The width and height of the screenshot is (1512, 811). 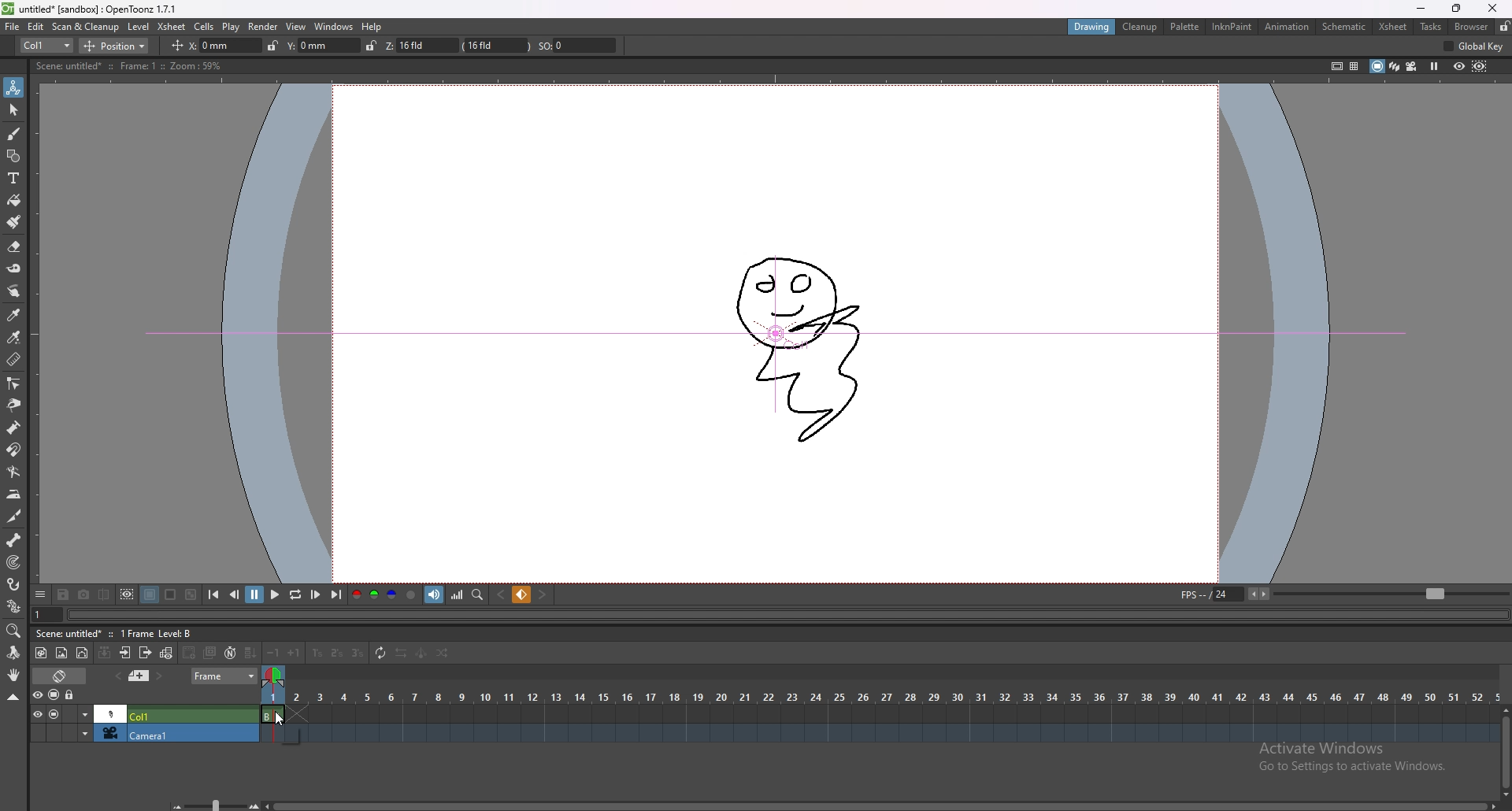 What do you see at coordinates (150, 594) in the screenshot?
I see `black background` at bounding box center [150, 594].